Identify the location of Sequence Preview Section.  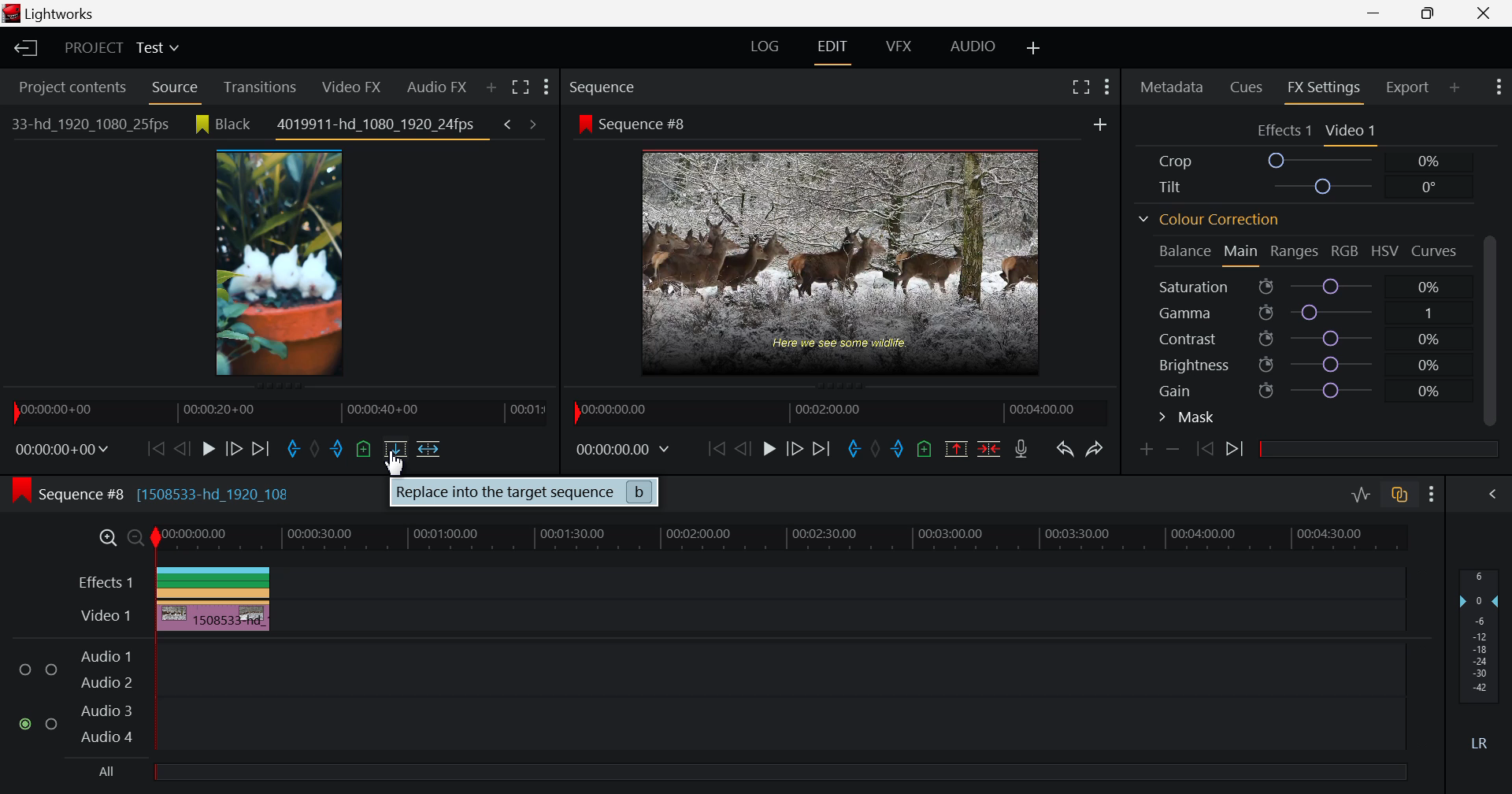
(643, 87).